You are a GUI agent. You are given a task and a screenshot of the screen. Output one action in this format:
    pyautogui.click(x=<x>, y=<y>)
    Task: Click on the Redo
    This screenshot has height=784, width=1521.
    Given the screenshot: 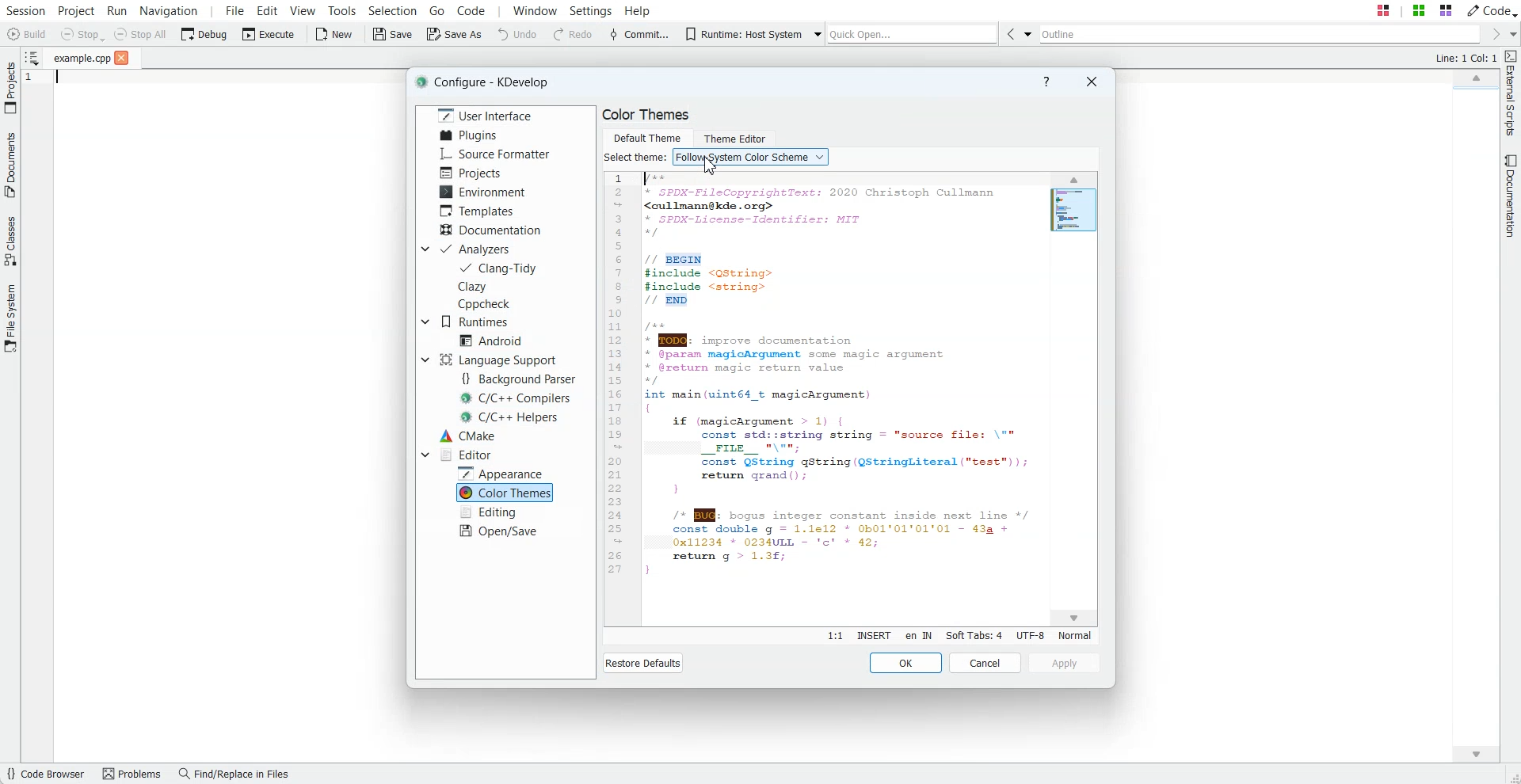 What is the action you would take?
    pyautogui.click(x=574, y=35)
    